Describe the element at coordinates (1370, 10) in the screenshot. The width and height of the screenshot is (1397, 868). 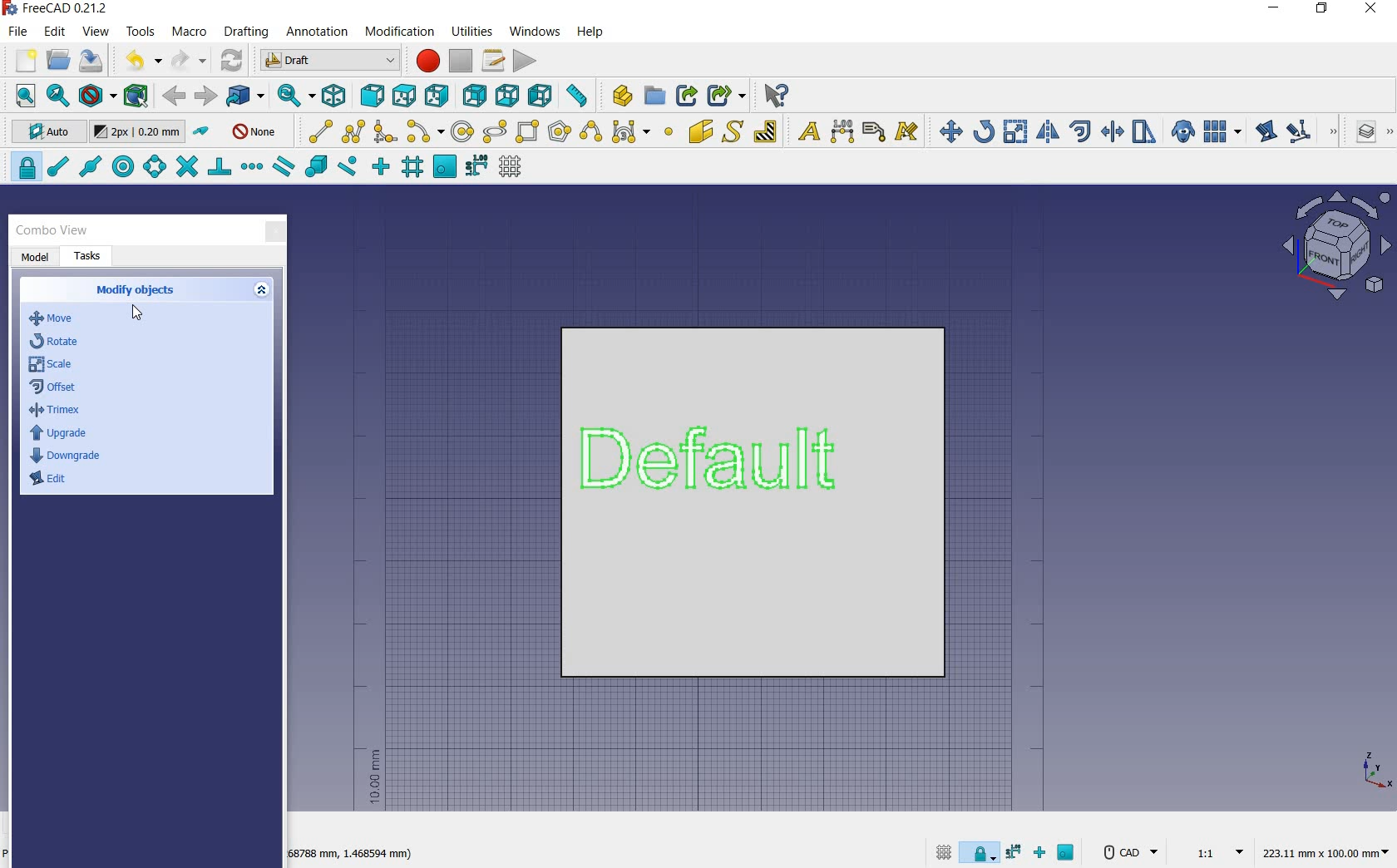
I see `close` at that location.